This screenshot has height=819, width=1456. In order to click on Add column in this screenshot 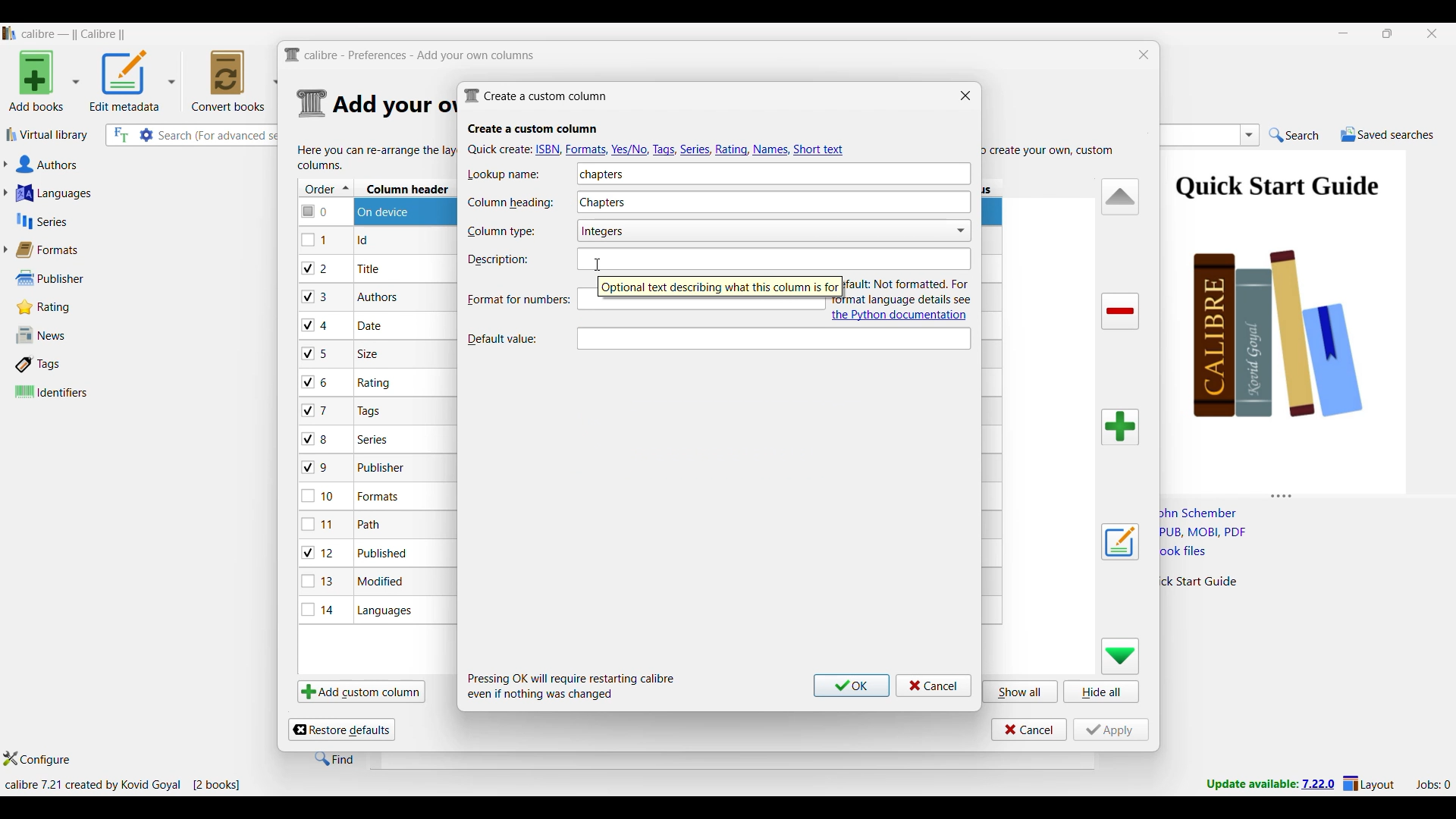, I will do `click(1120, 427)`.